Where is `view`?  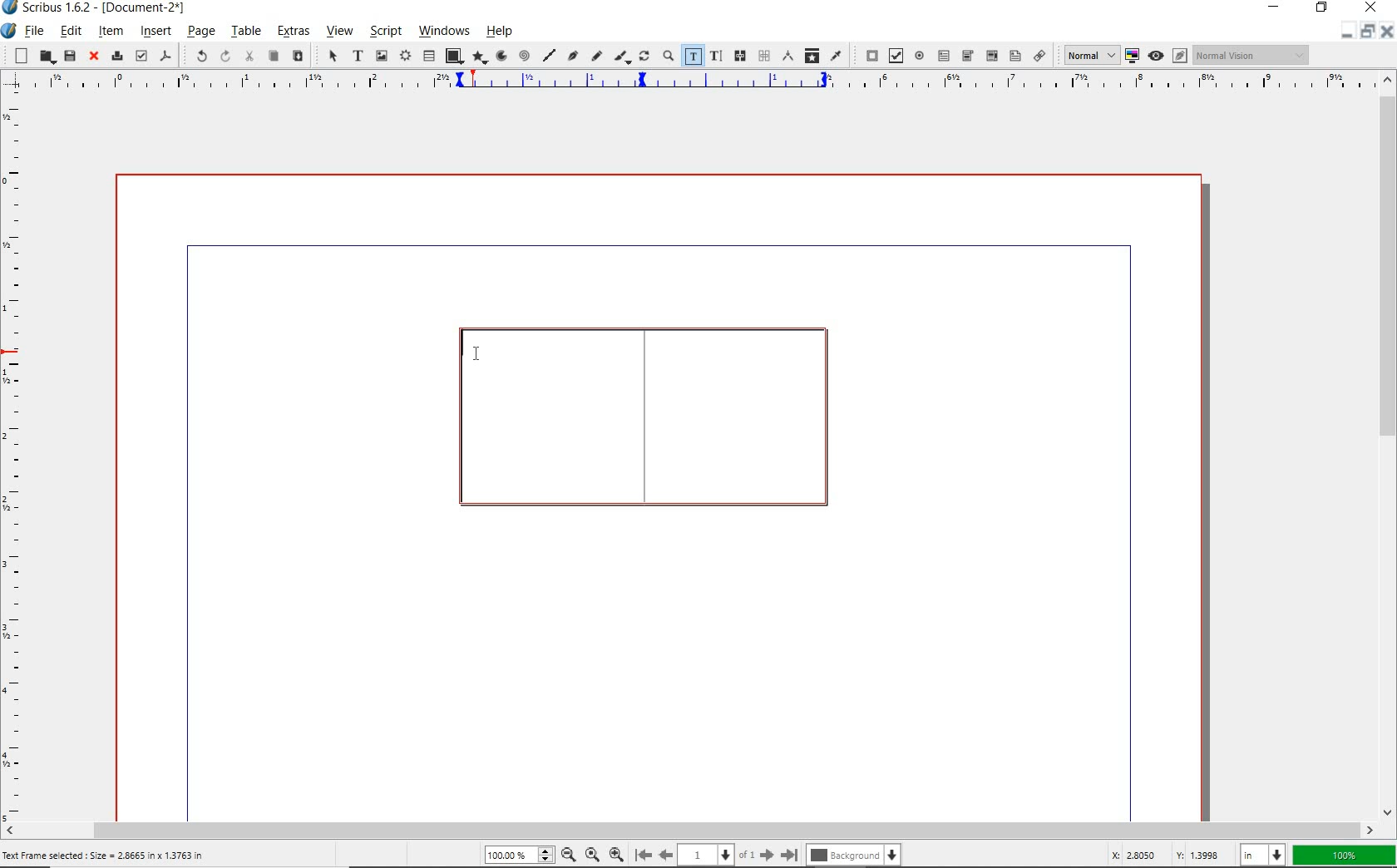 view is located at coordinates (338, 31).